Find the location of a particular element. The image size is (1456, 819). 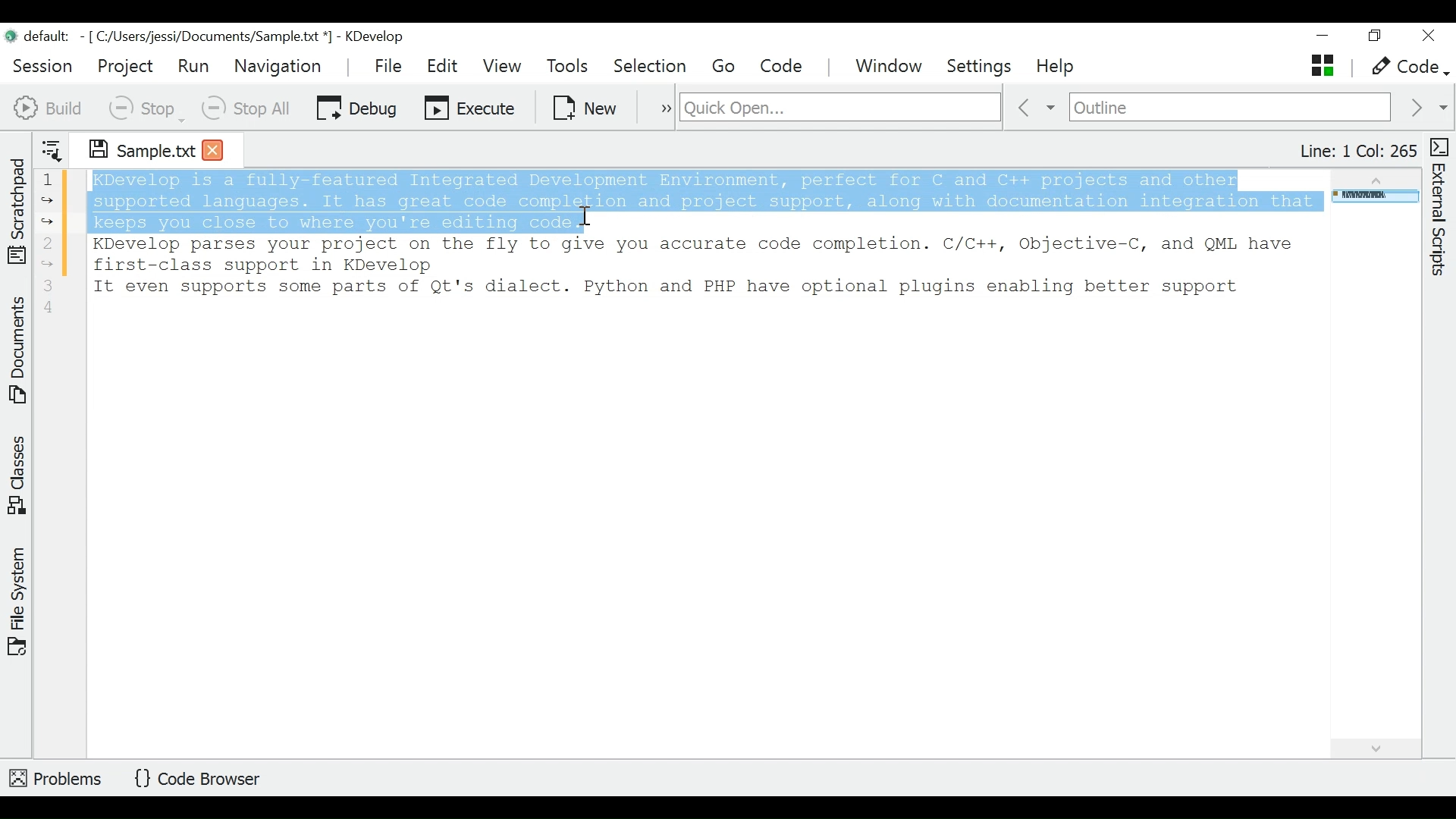

1 KDevelop is a fully-featured Integrated Development Environment, perfect for C and C++ projects and other supported languages. It has great code completion and project support, along with documentation integration that keeps you close to where you're editing code. is located at coordinates (677, 200).